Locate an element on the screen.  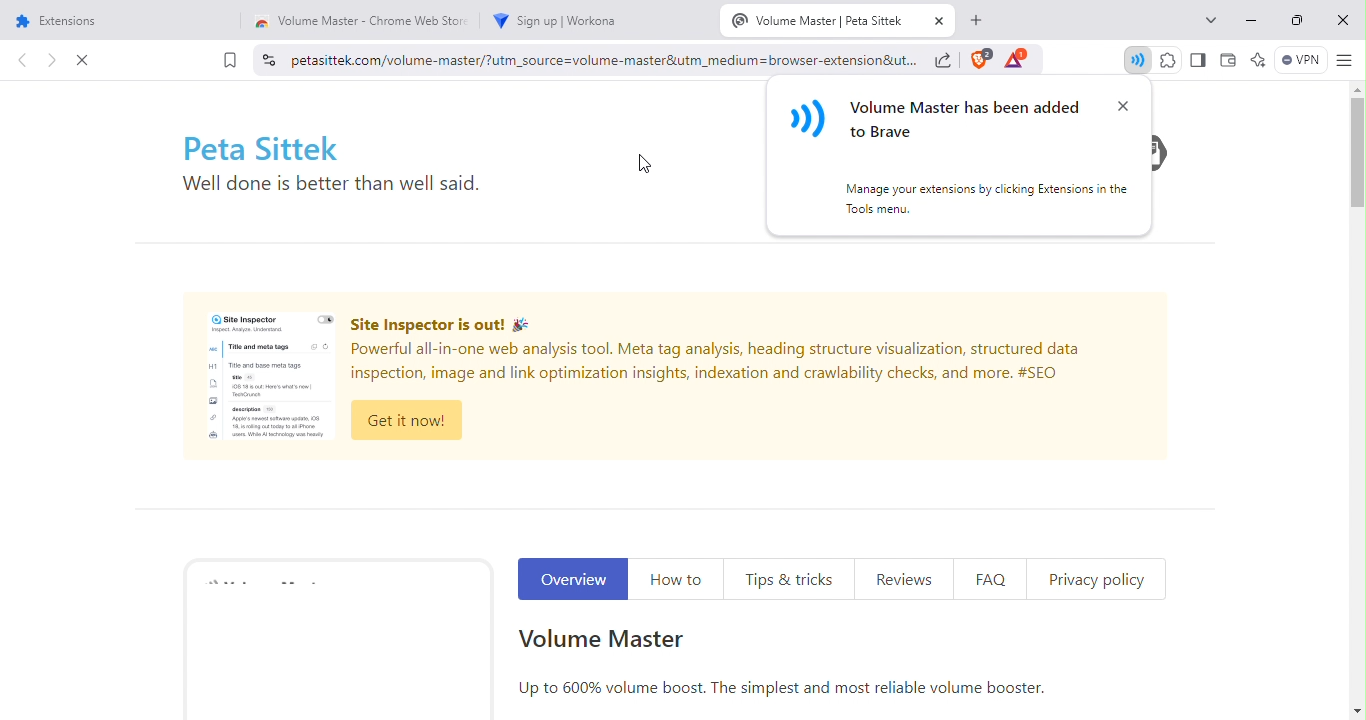
Privacy Policy is located at coordinates (1097, 577).